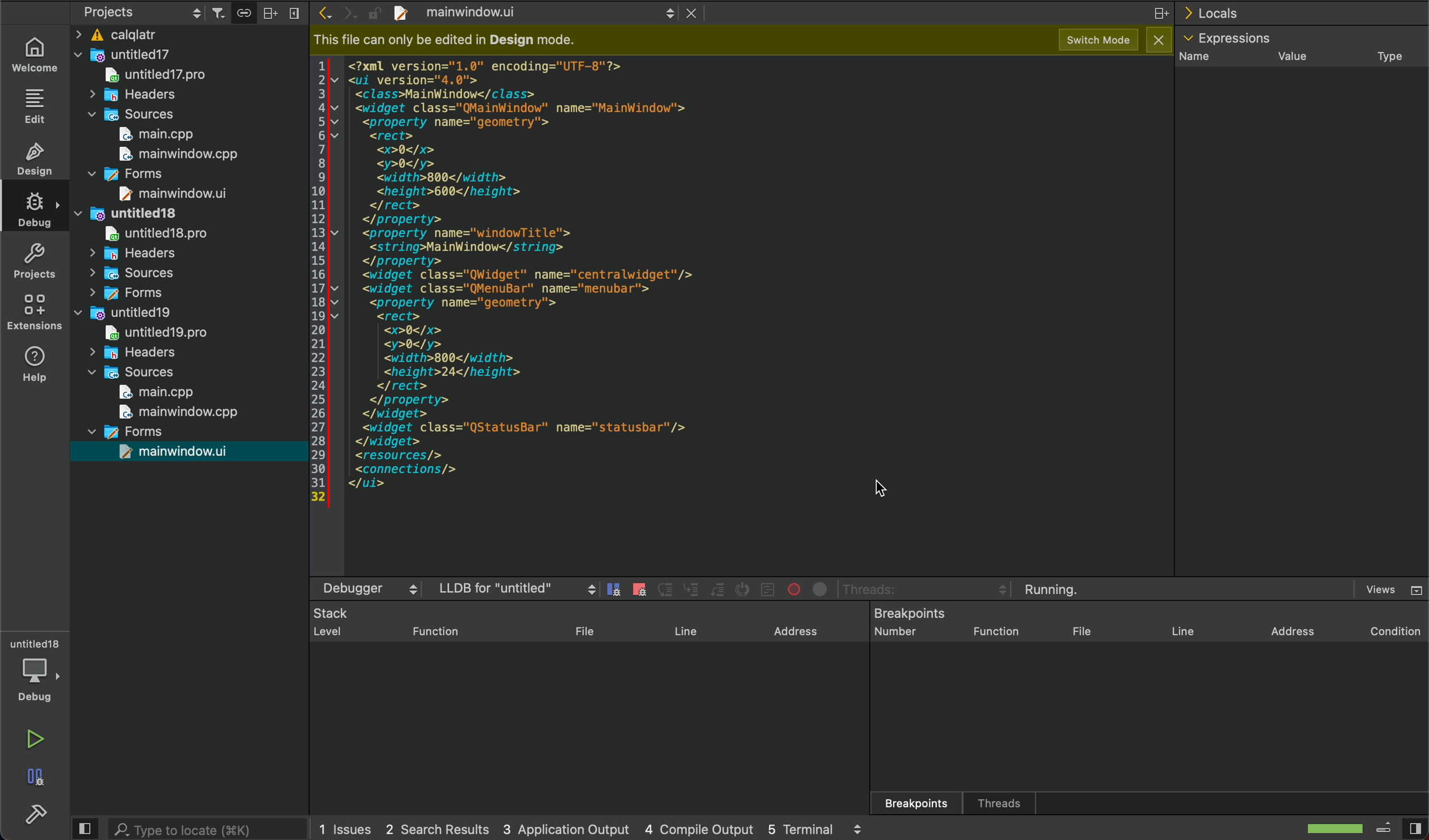 The height and width of the screenshot is (840, 1429). What do you see at coordinates (184, 33) in the screenshot?
I see `calqlatr` at bounding box center [184, 33].